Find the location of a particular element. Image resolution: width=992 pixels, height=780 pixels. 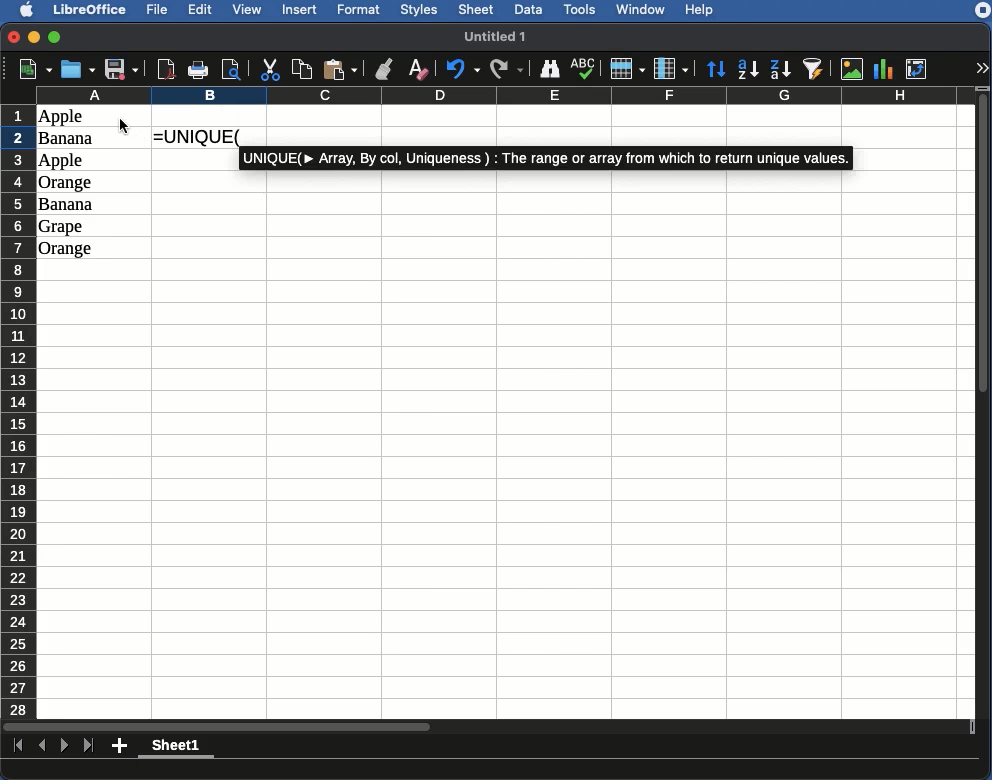

Clone formatting is located at coordinates (384, 69).